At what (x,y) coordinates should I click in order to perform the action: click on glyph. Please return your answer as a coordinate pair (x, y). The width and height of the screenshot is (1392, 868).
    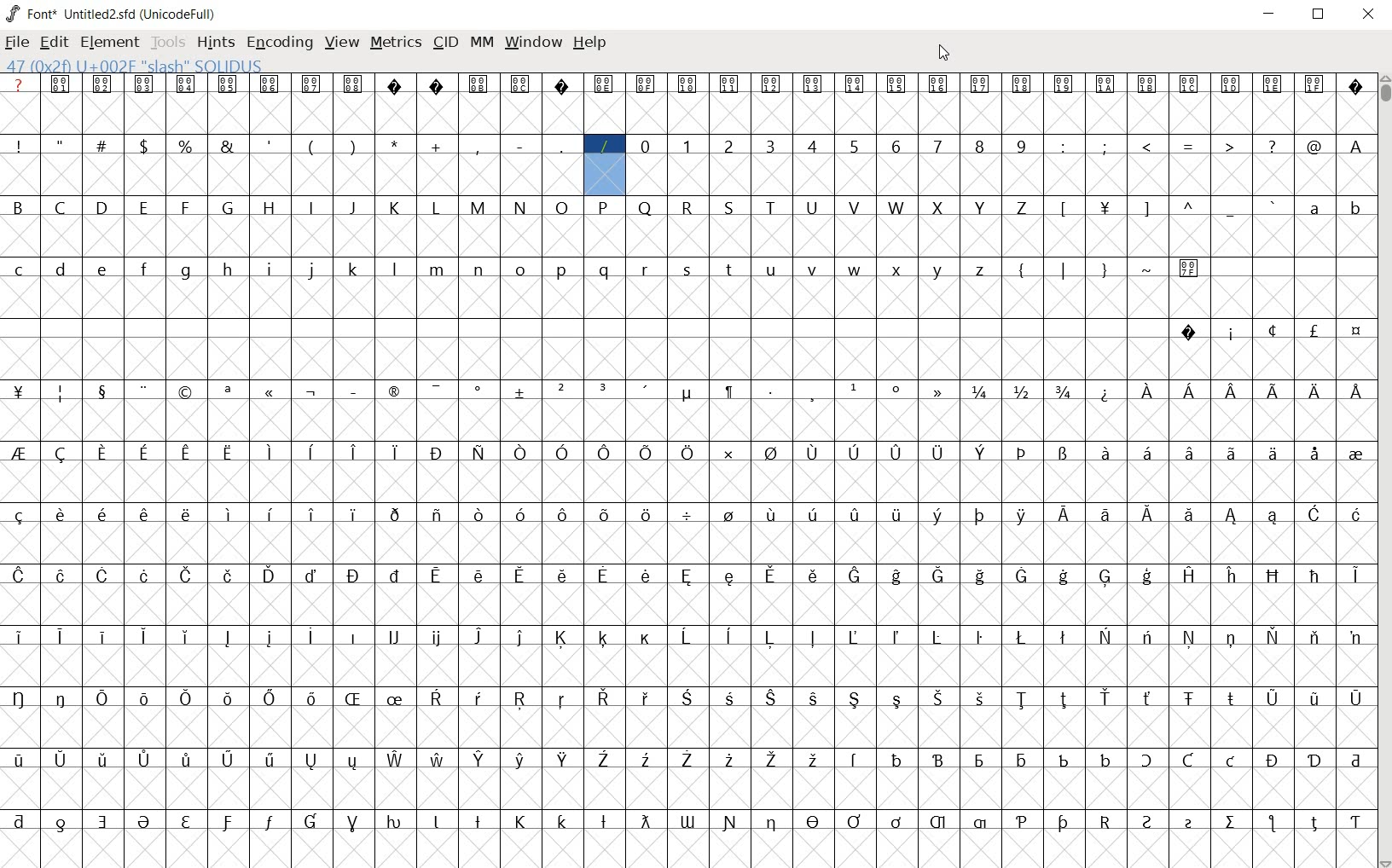
    Looking at the image, I should click on (813, 514).